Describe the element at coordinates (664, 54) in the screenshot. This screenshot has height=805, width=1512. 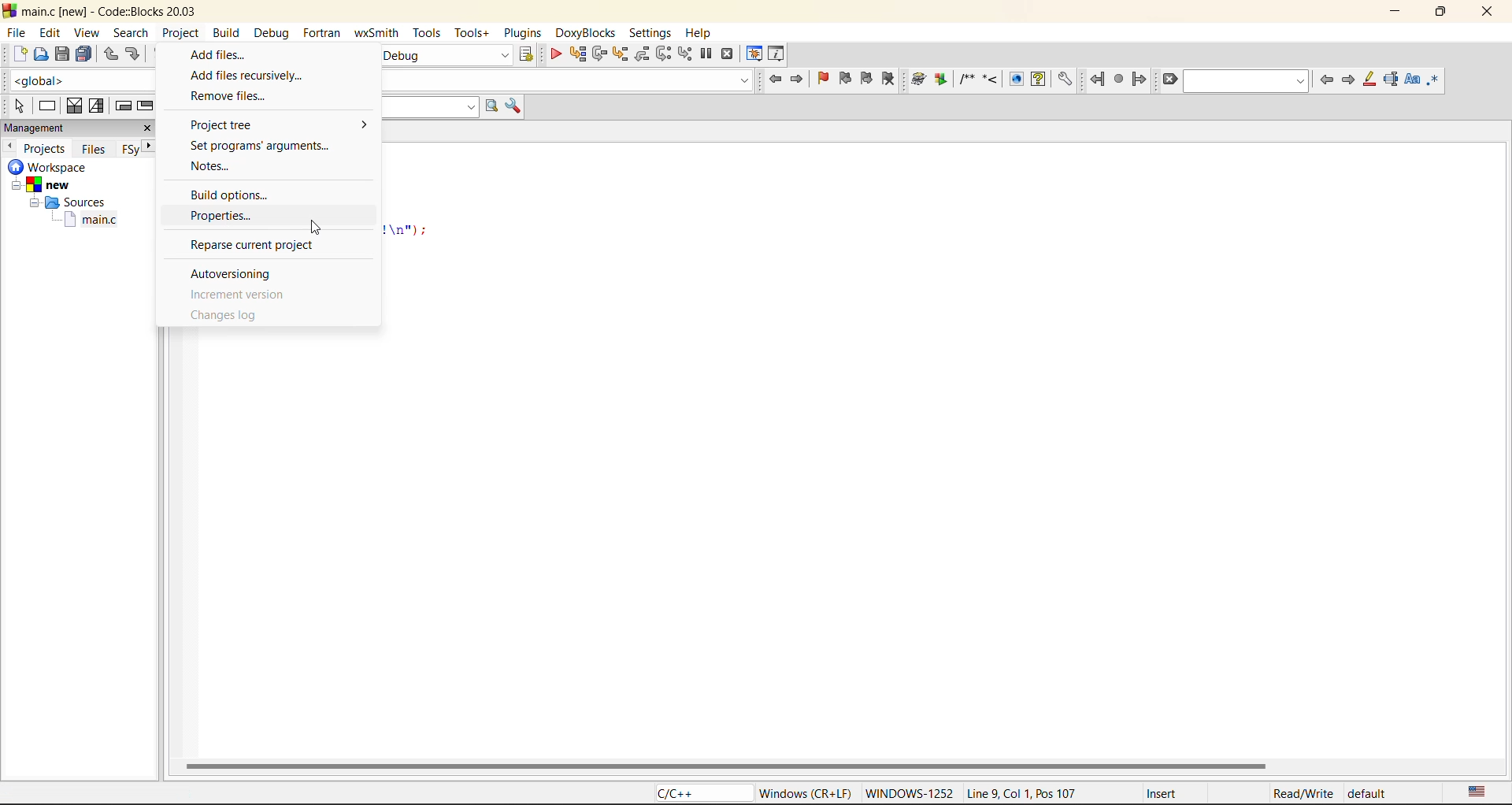
I see `next instruction` at that location.